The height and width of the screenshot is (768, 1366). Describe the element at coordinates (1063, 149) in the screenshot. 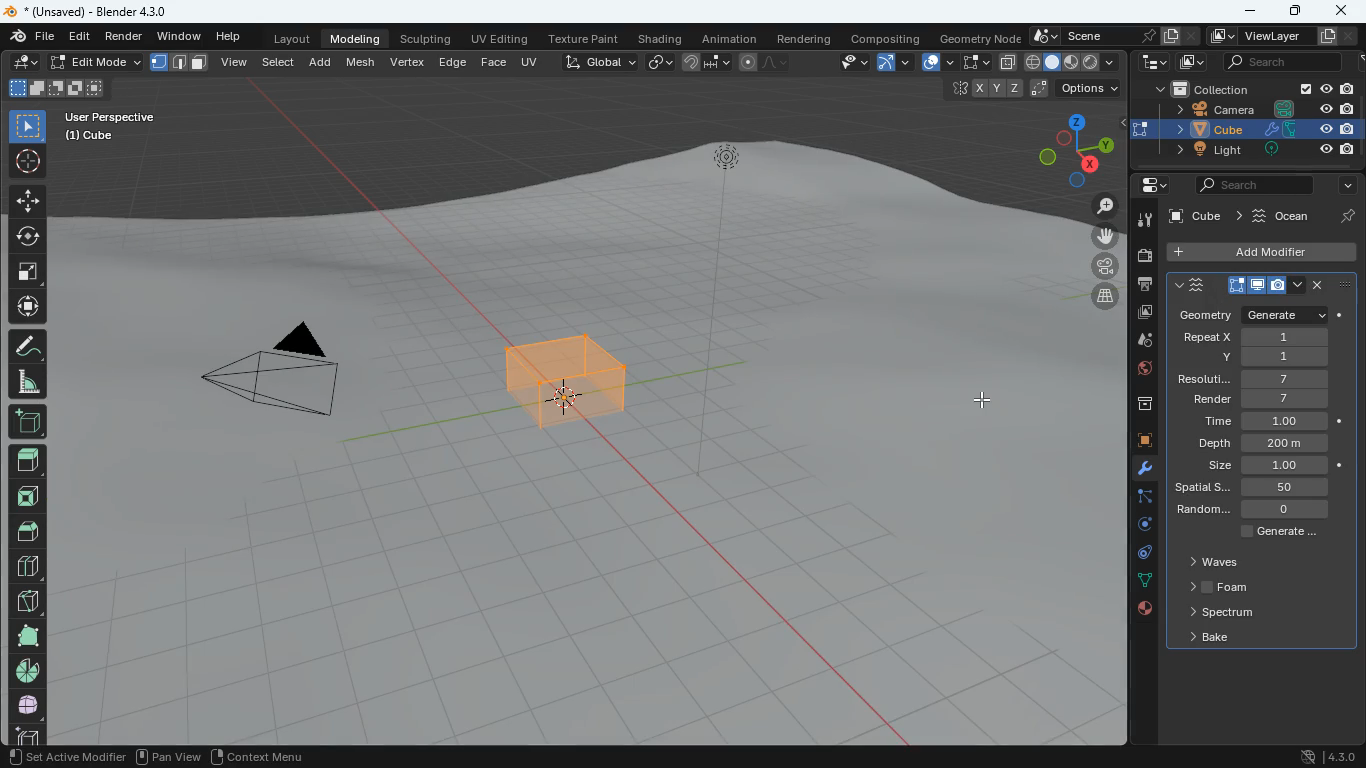

I see `dimensions` at that location.